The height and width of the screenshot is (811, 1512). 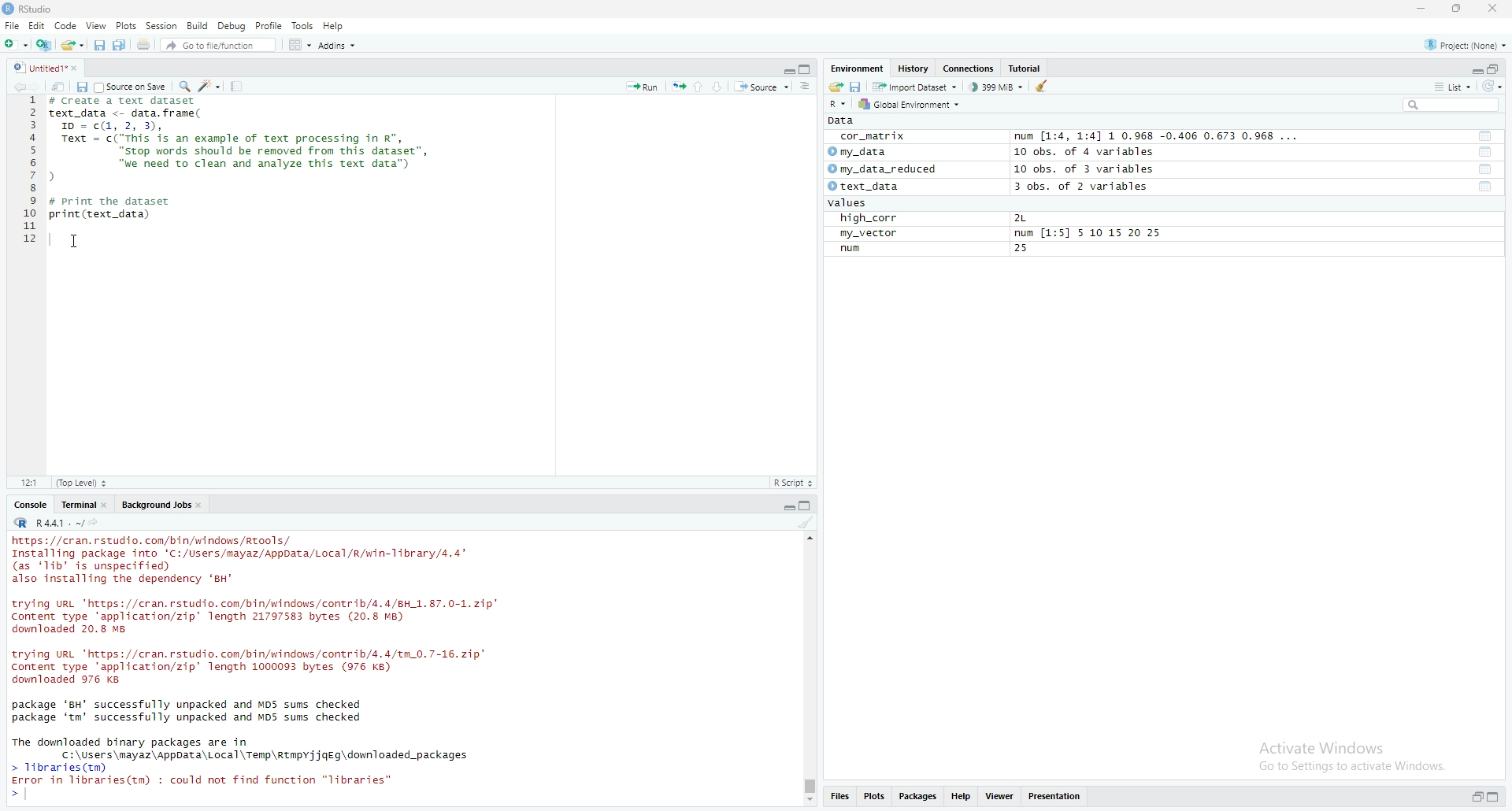 I want to click on data, so click(x=842, y=121).